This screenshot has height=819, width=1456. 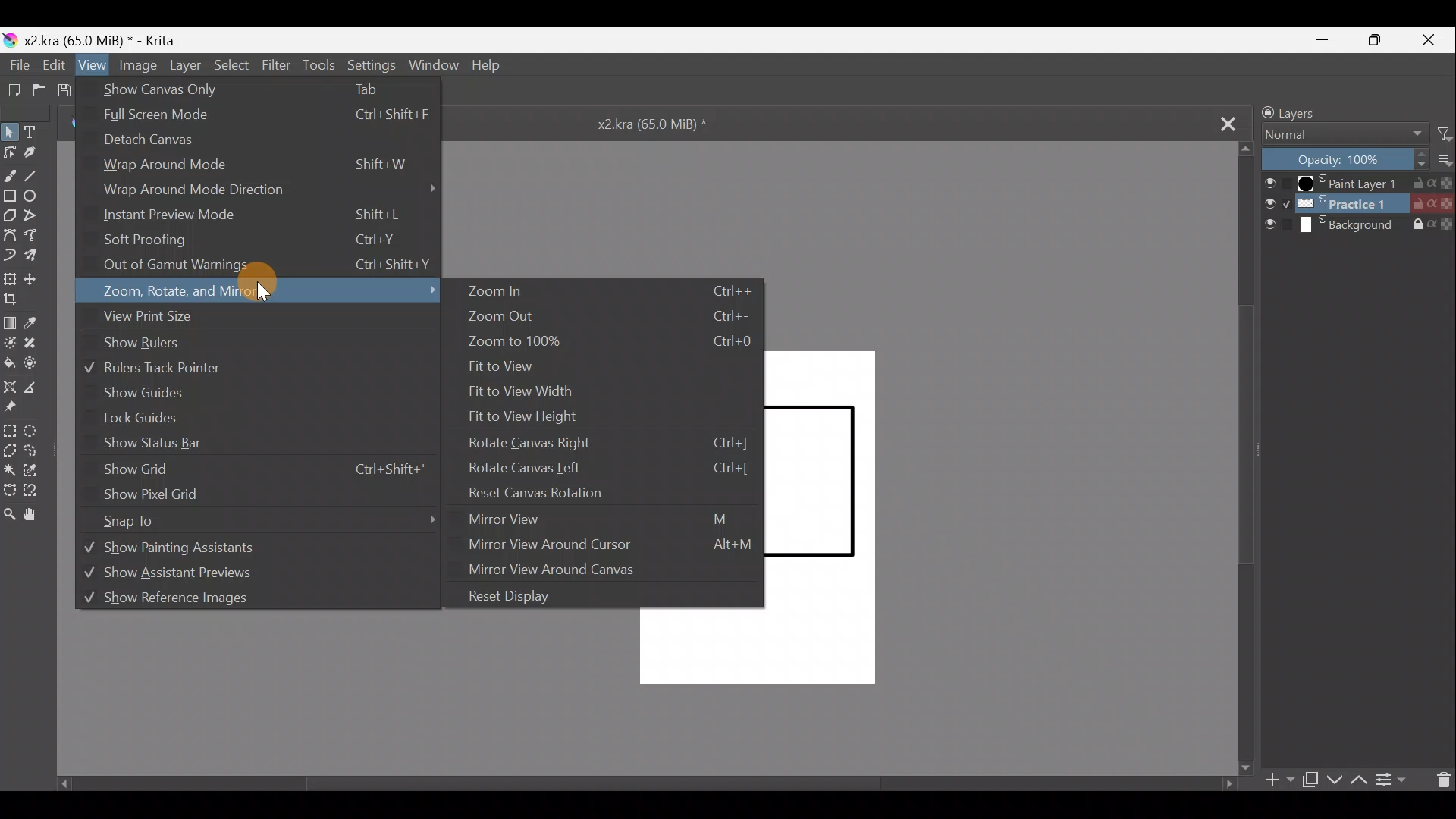 What do you see at coordinates (151, 444) in the screenshot?
I see `Show status bar` at bounding box center [151, 444].